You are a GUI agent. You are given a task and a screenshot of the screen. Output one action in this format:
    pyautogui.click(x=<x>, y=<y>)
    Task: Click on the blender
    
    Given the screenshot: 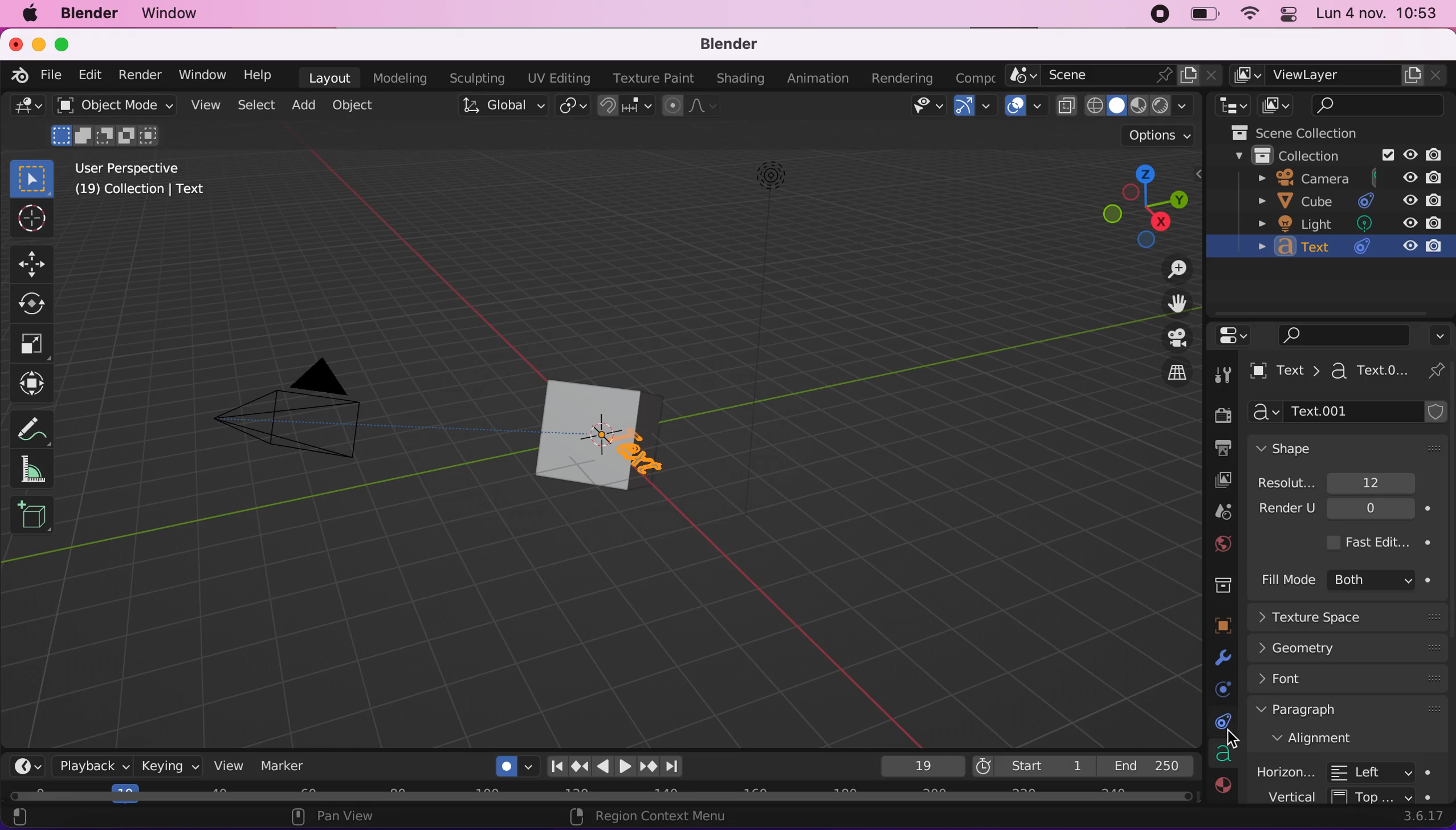 What is the action you would take?
    pyautogui.click(x=18, y=76)
    